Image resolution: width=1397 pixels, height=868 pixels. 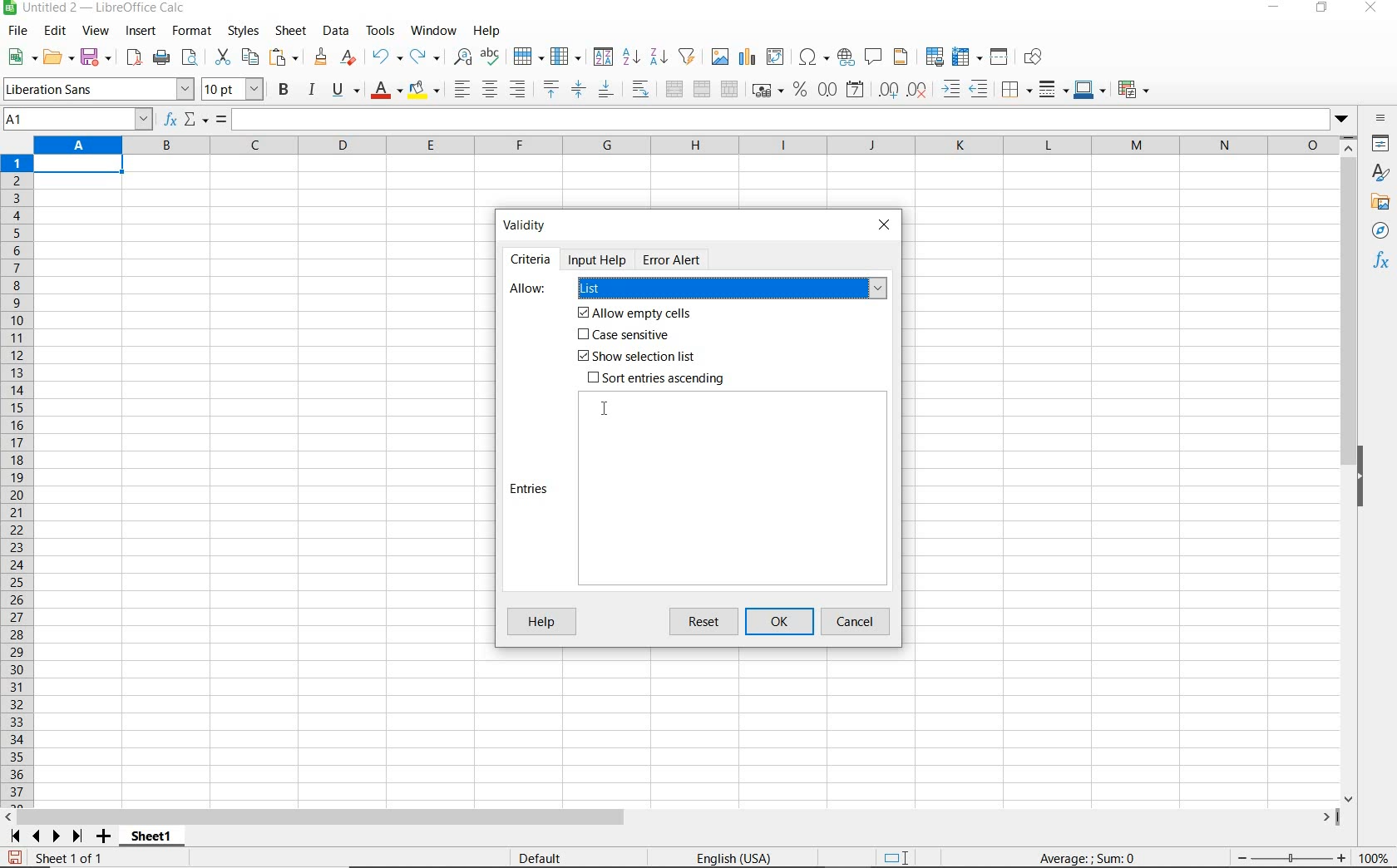 What do you see at coordinates (97, 57) in the screenshot?
I see `save` at bounding box center [97, 57].